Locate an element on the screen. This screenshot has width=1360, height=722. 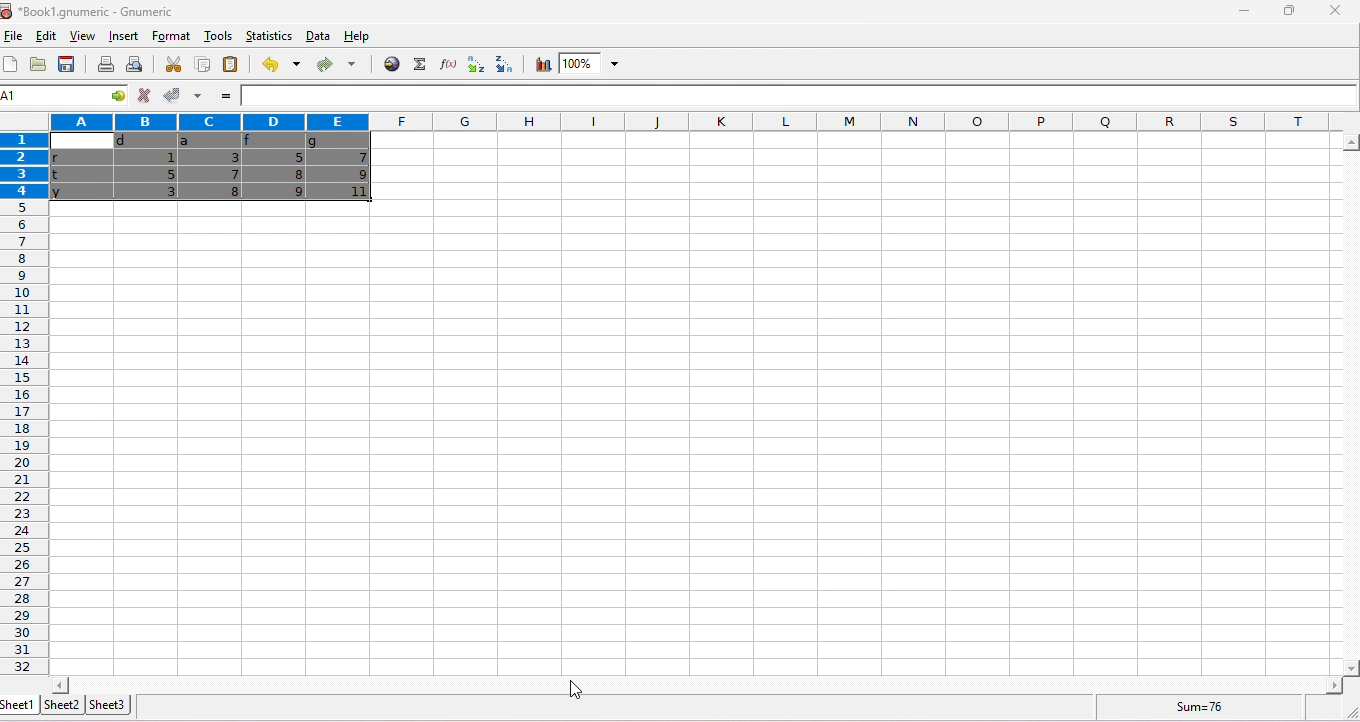
sort ascending is located at coordinates (472, 65).